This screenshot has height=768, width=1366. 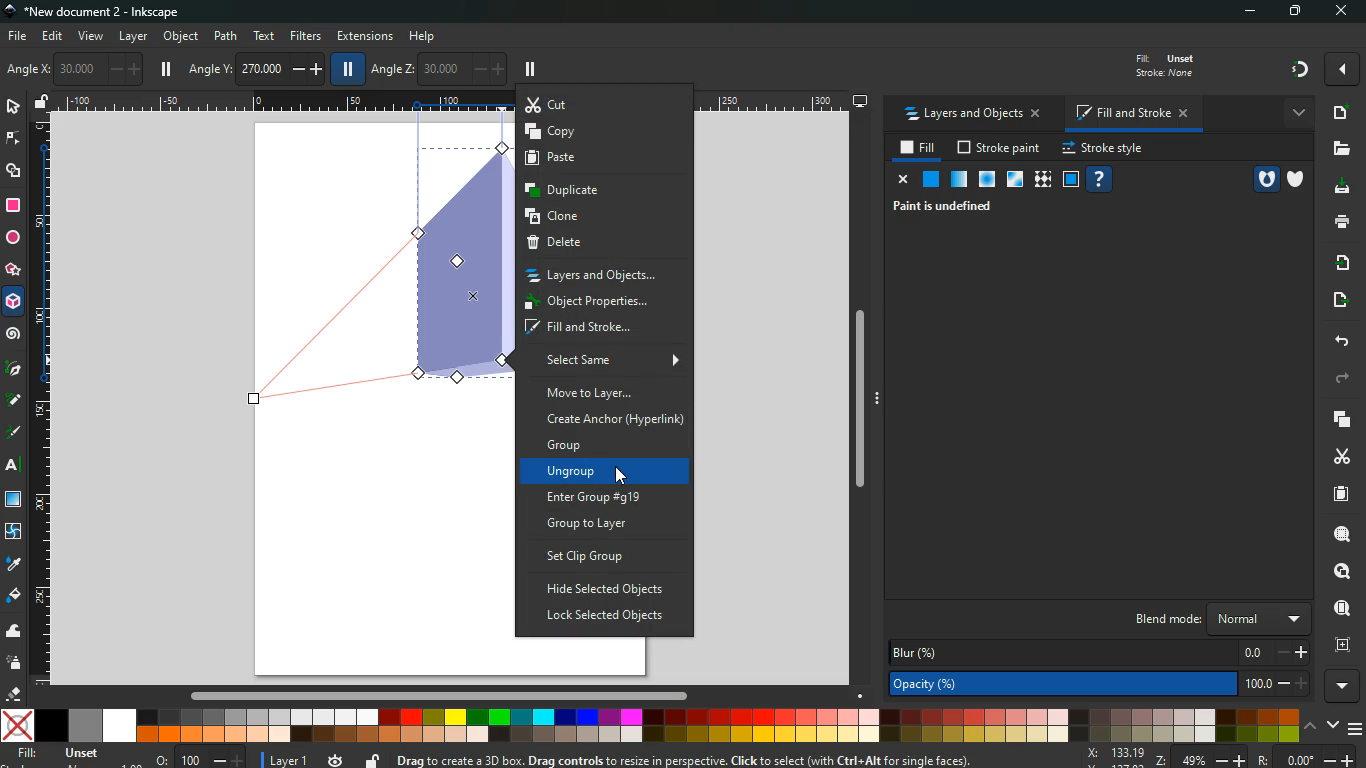 What do you see at coordinates (1342, 456) in the screenshot?
I see `cut` at bounding box center [1342, 456].